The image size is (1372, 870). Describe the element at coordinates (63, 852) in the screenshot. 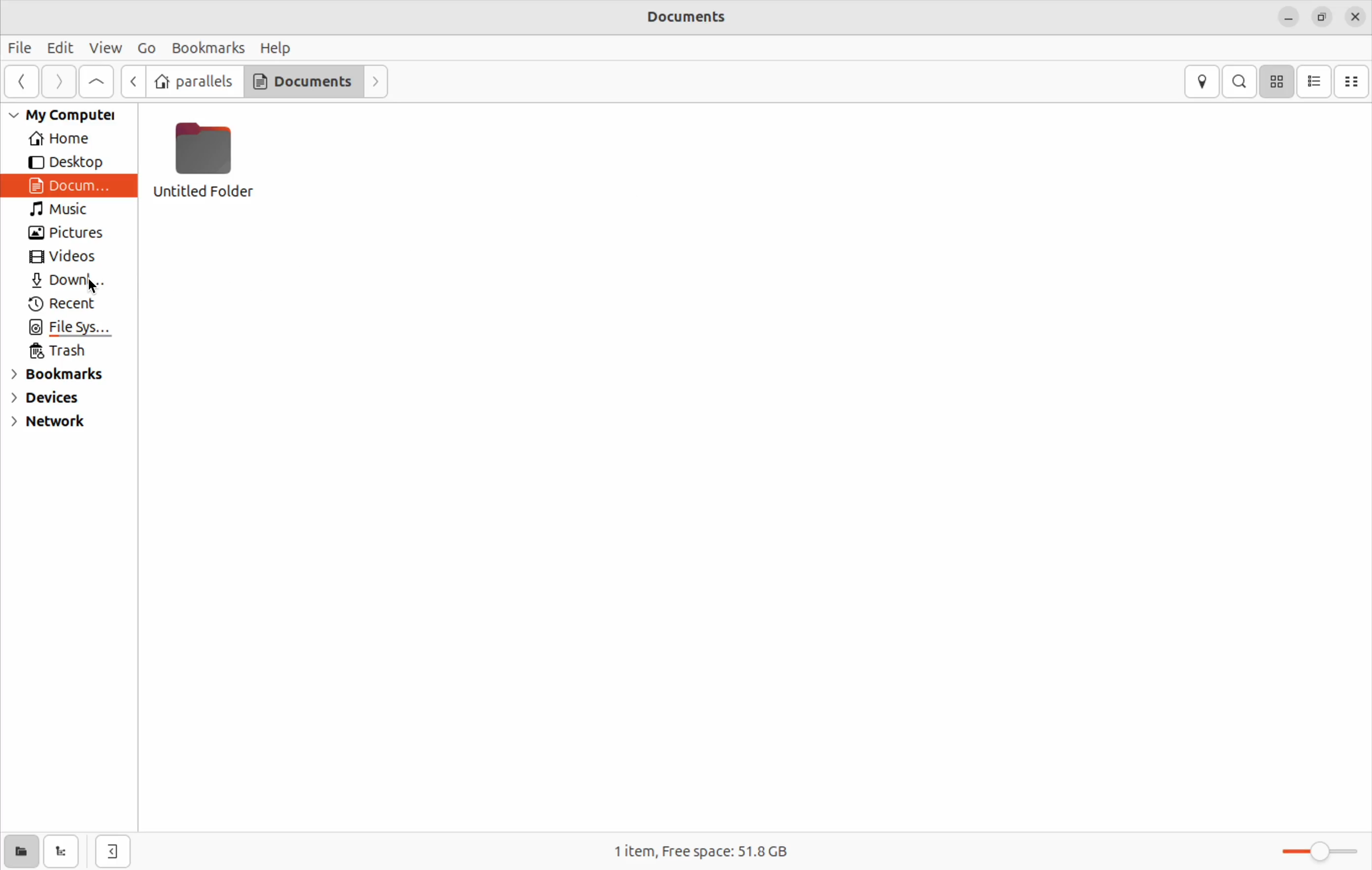

I see `show tree view` at that location.